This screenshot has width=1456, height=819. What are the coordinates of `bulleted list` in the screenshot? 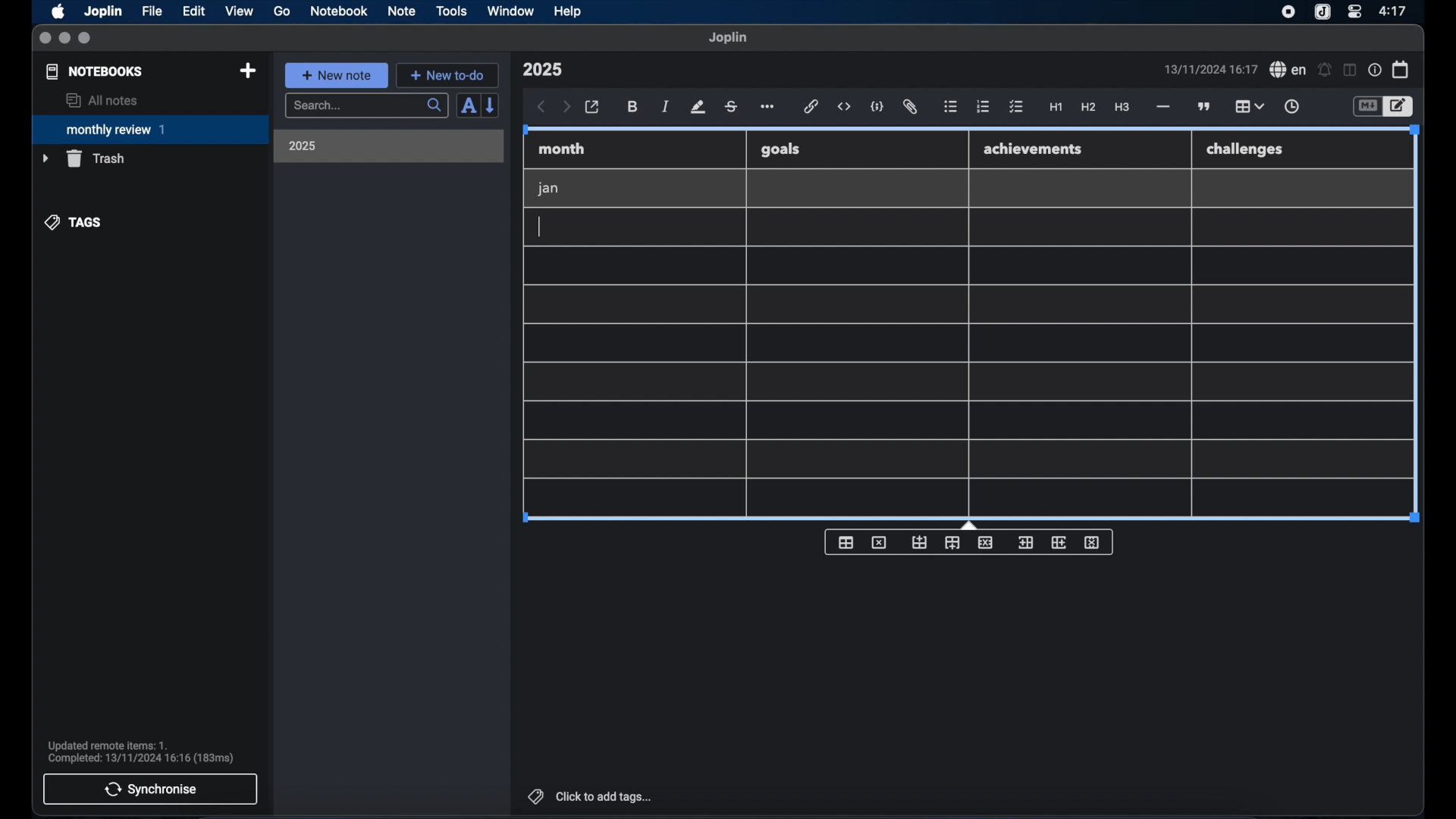 It's located at (950, 107).